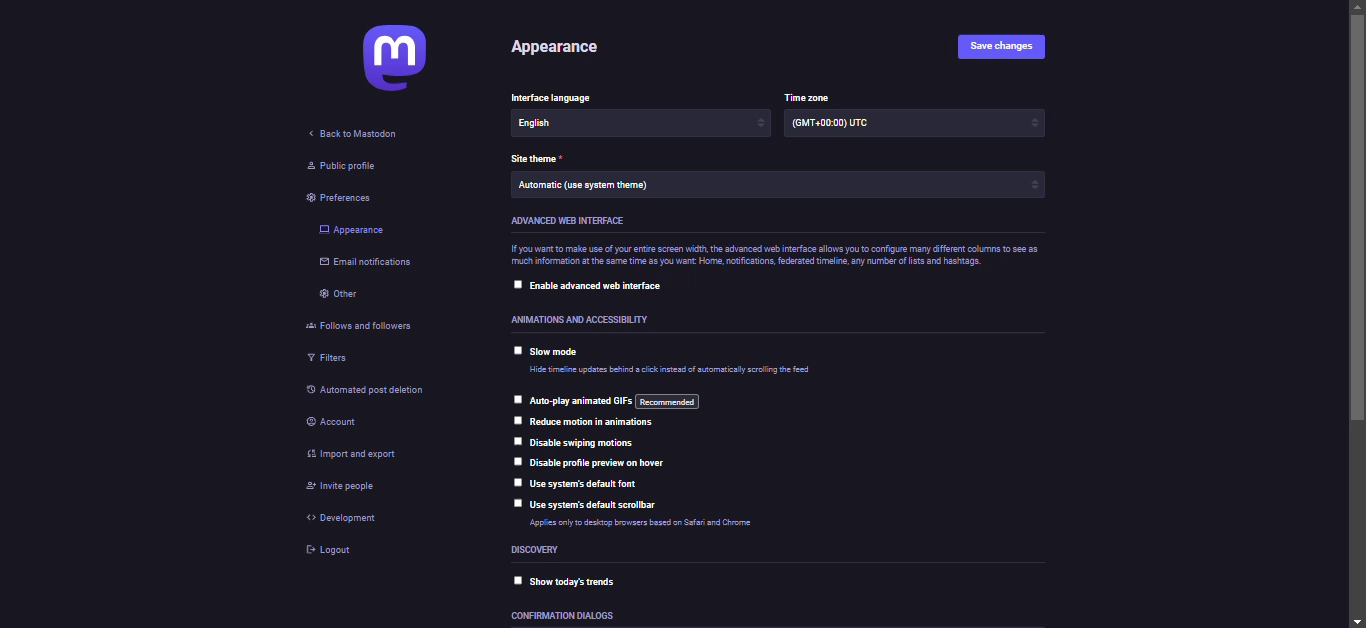  I want to click on info, so click(661, 526).